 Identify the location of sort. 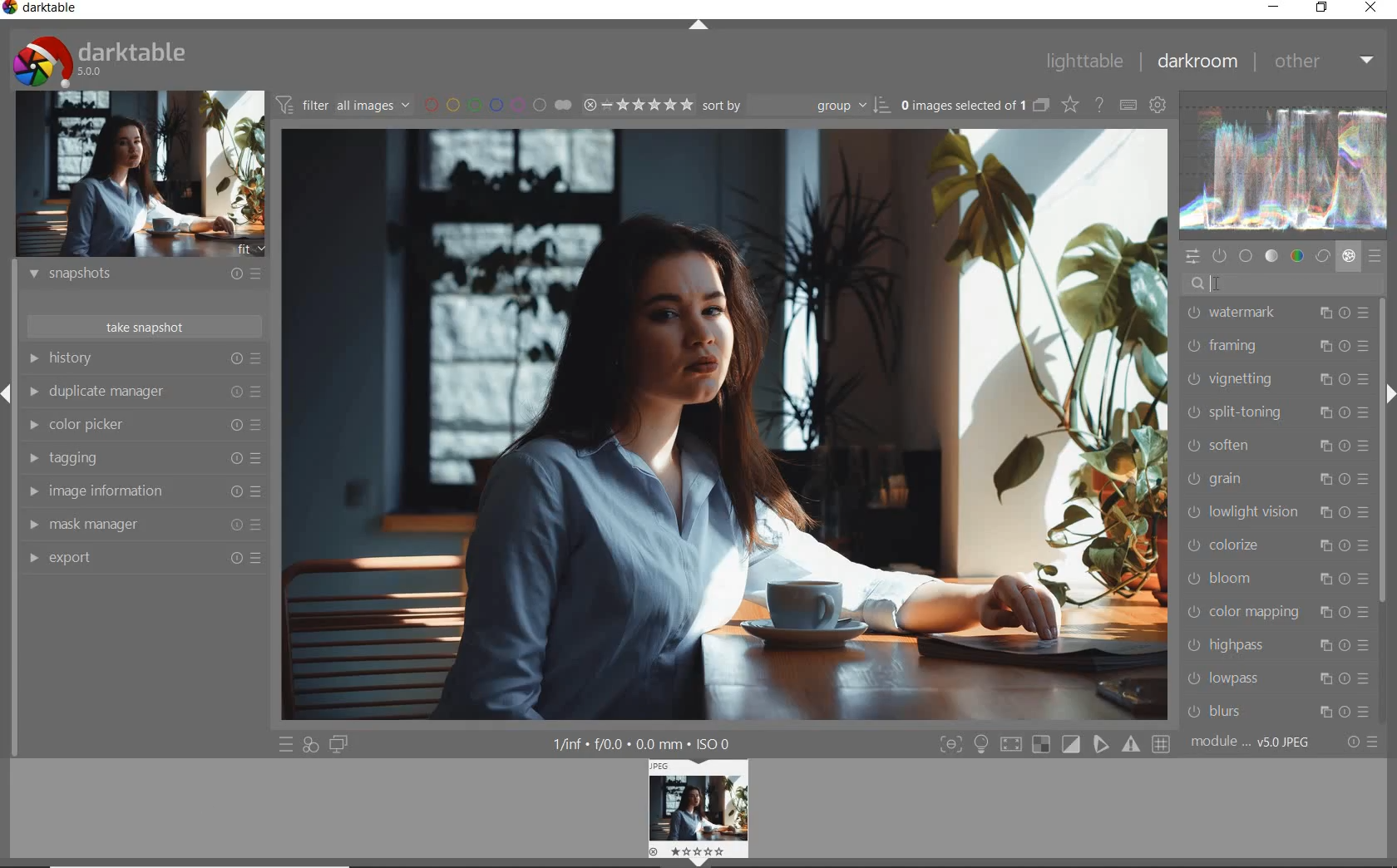
(793, 106).